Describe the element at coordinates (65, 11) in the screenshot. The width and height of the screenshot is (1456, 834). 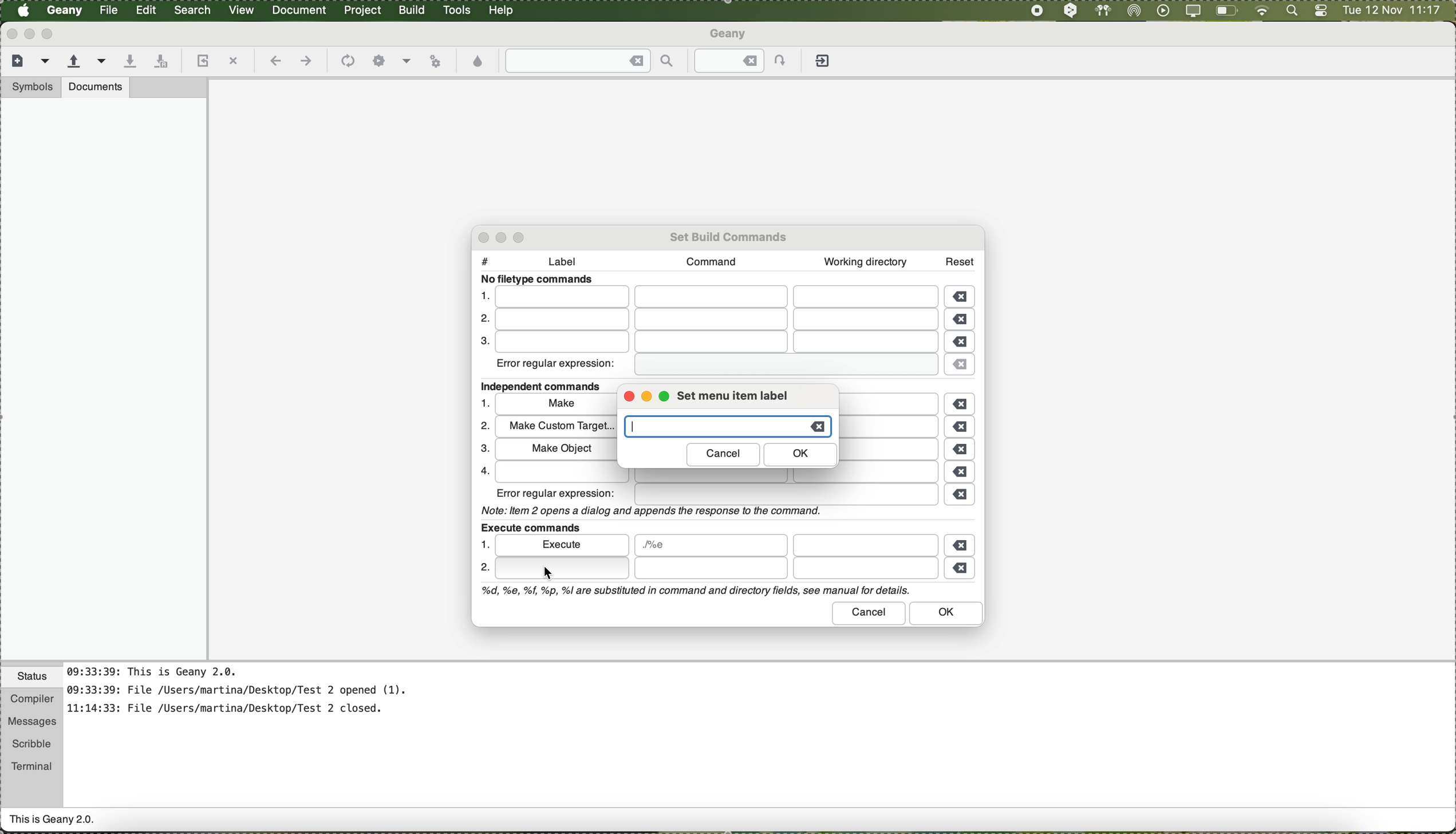
I see `Geany` at that location.